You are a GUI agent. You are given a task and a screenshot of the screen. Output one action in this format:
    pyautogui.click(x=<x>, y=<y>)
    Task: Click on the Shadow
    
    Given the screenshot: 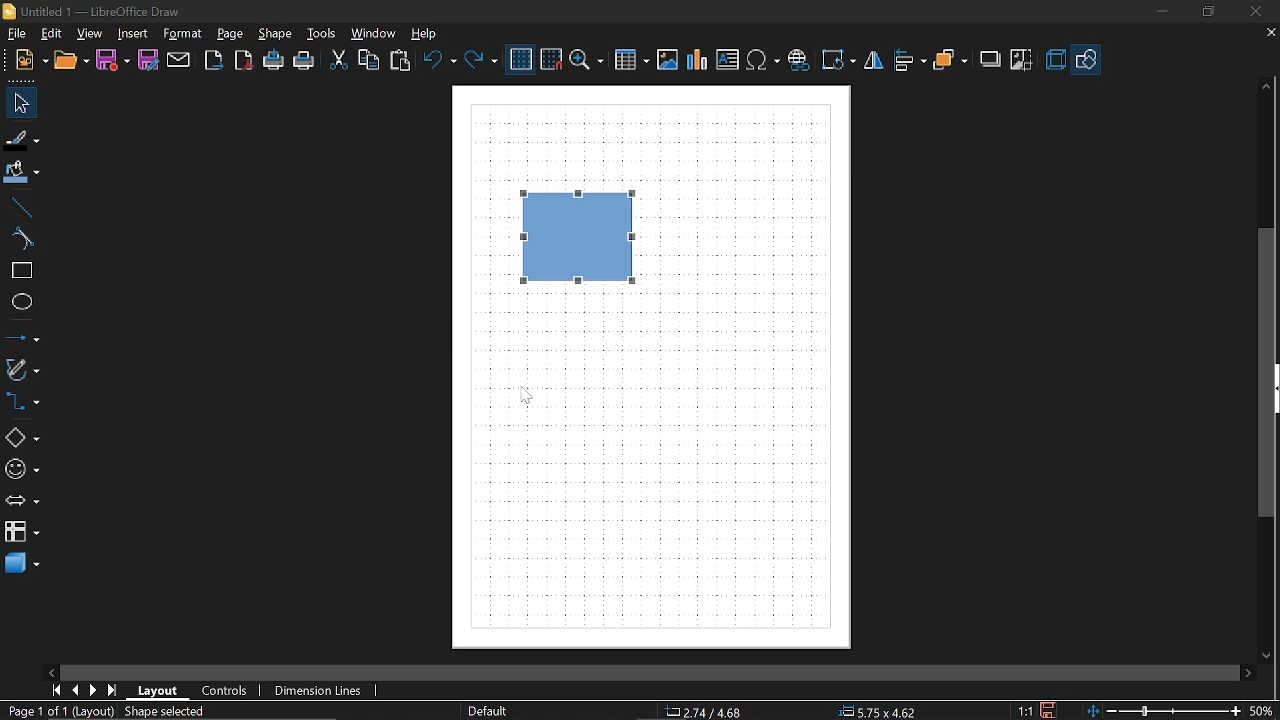 What is the action you would take?
    pyautogui.click(x=992, y=59)
    